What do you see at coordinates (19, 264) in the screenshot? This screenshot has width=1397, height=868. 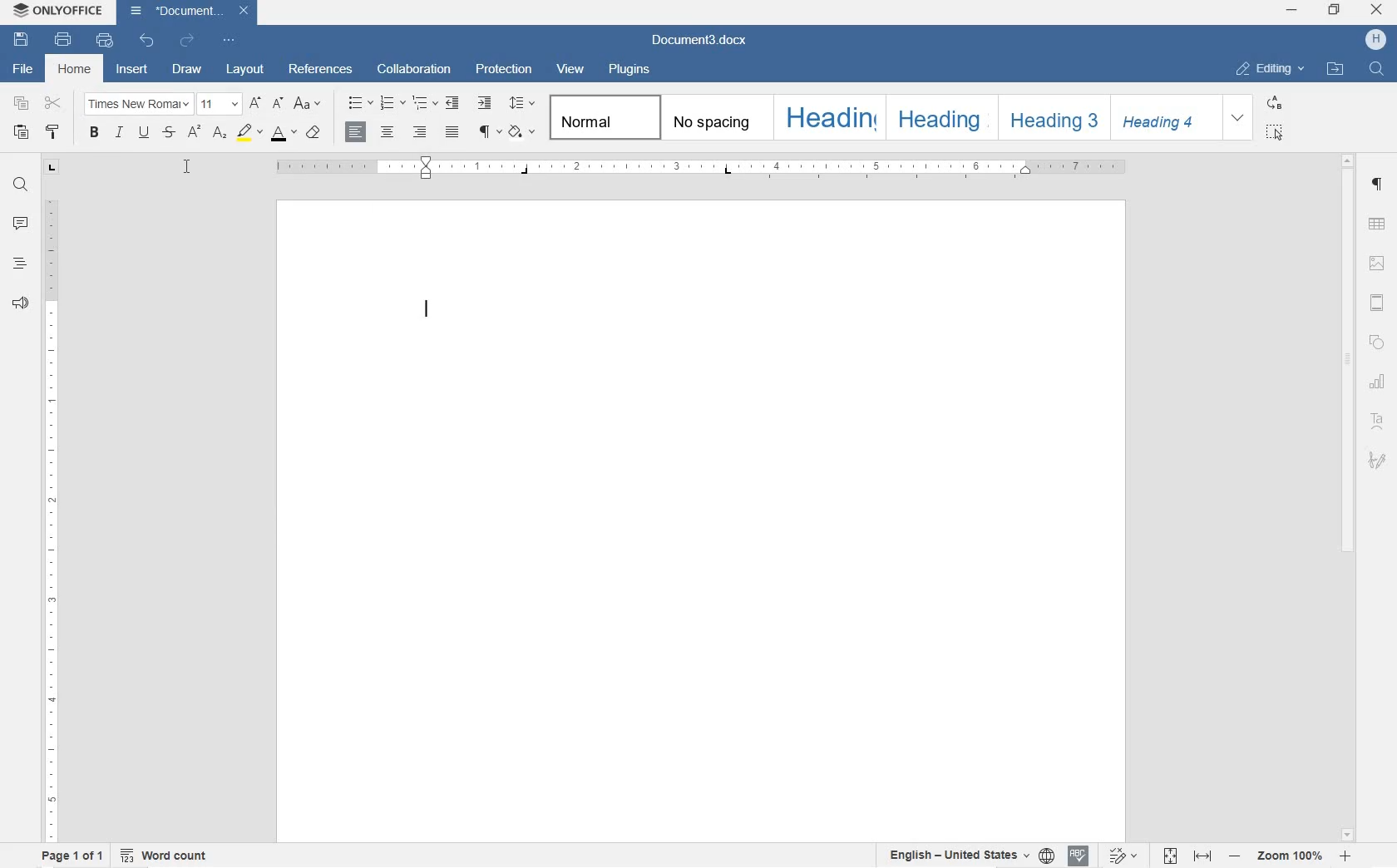 I see `HEADINGS` at bounding box center [19, 264].